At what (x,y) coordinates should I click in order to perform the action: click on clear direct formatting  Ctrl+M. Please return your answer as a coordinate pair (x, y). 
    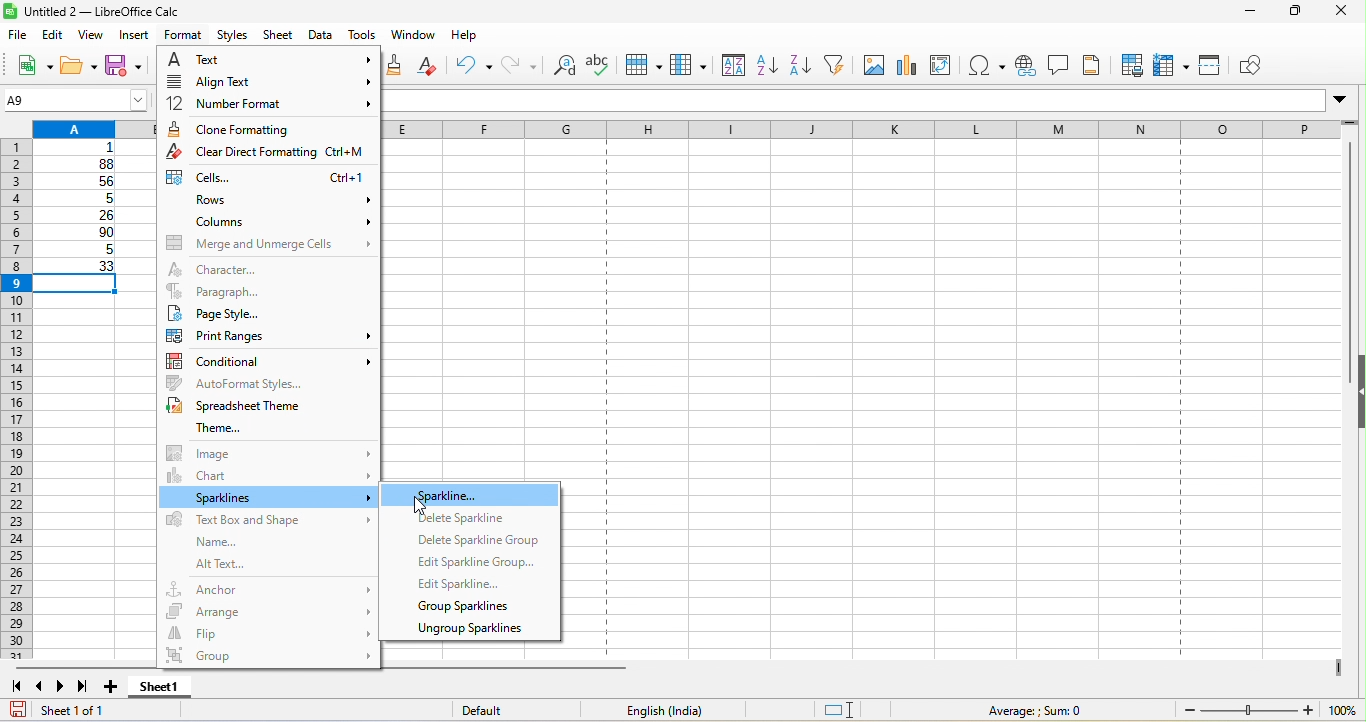
    Looking at the image, I should click on (269, 154).